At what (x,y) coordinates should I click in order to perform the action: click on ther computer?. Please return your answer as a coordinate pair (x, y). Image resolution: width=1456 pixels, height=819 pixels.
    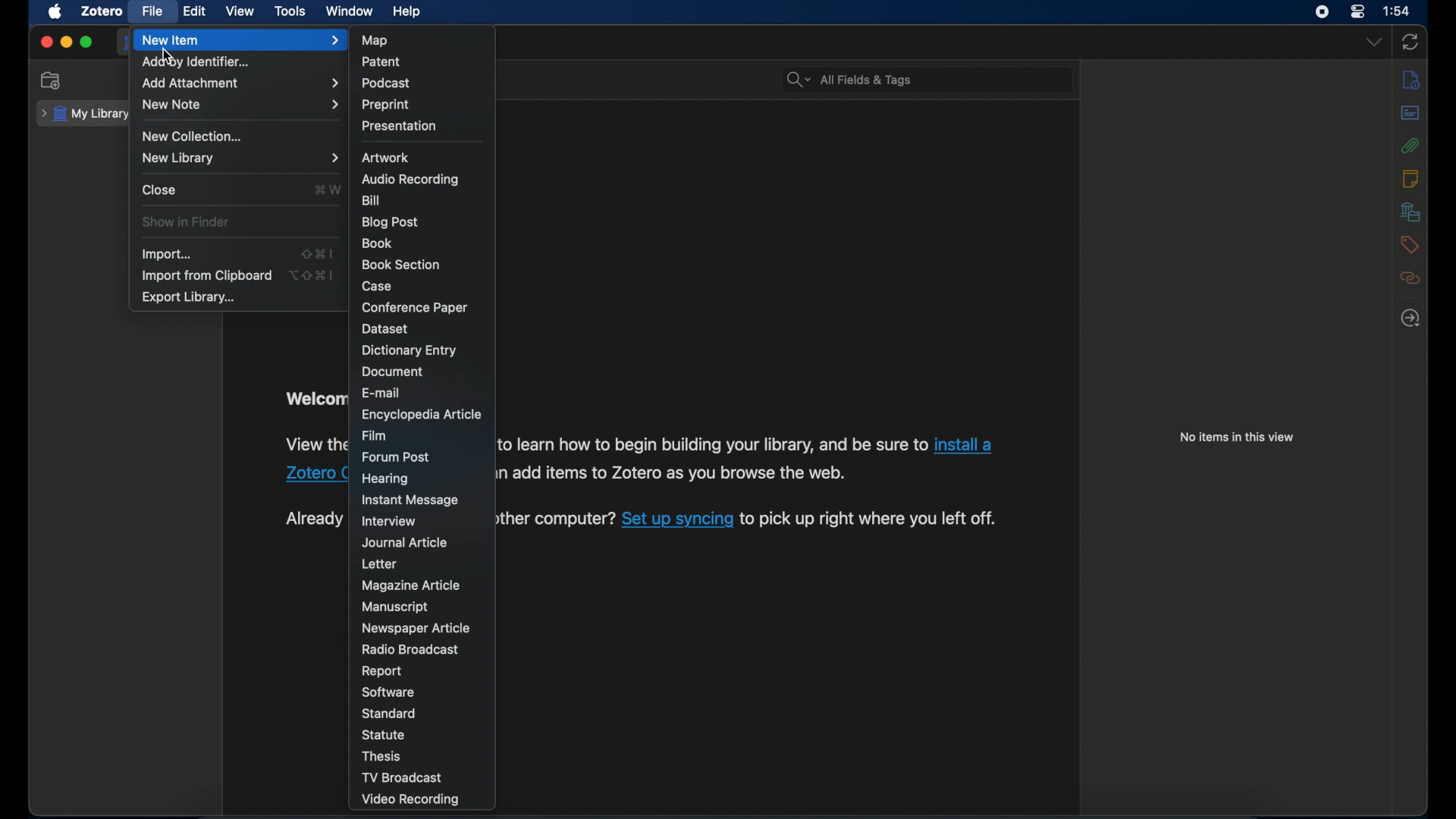
    Looking at the image, I should click on (557, 519).